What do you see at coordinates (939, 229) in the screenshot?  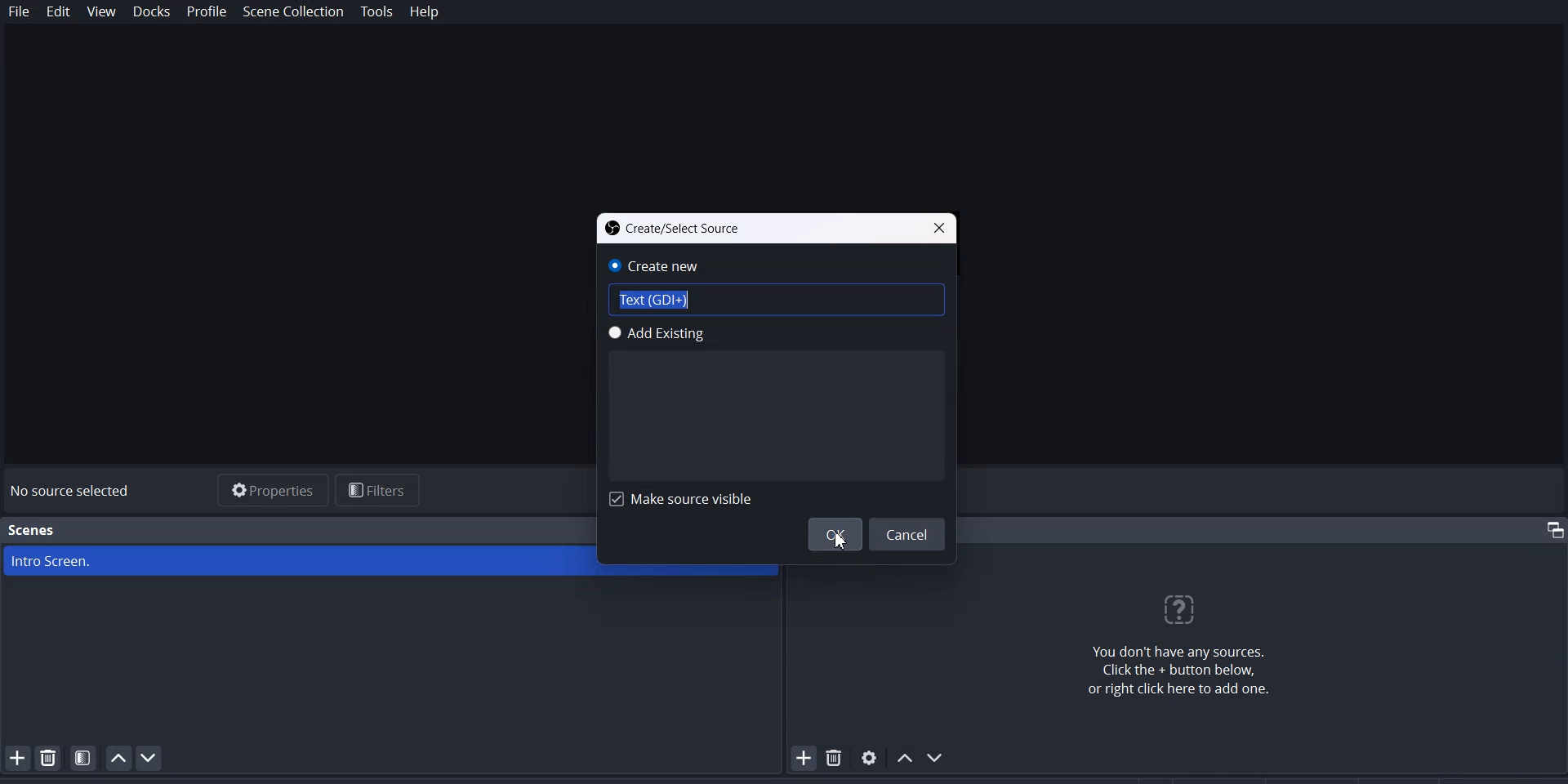 I see `Close` at bounding box center [939, 229].